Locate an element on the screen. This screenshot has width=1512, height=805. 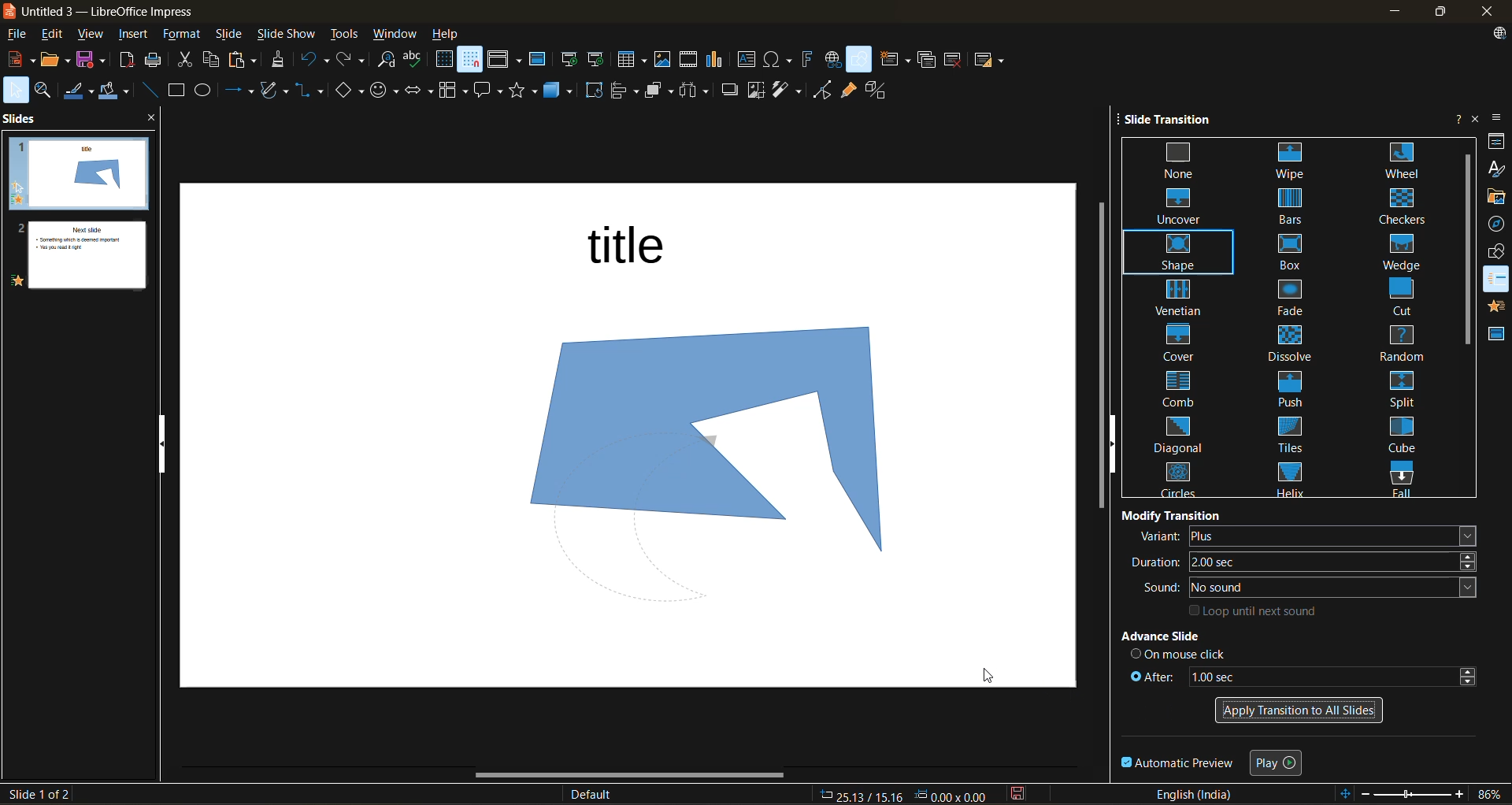
sound is located at coordinates (1313, 588).